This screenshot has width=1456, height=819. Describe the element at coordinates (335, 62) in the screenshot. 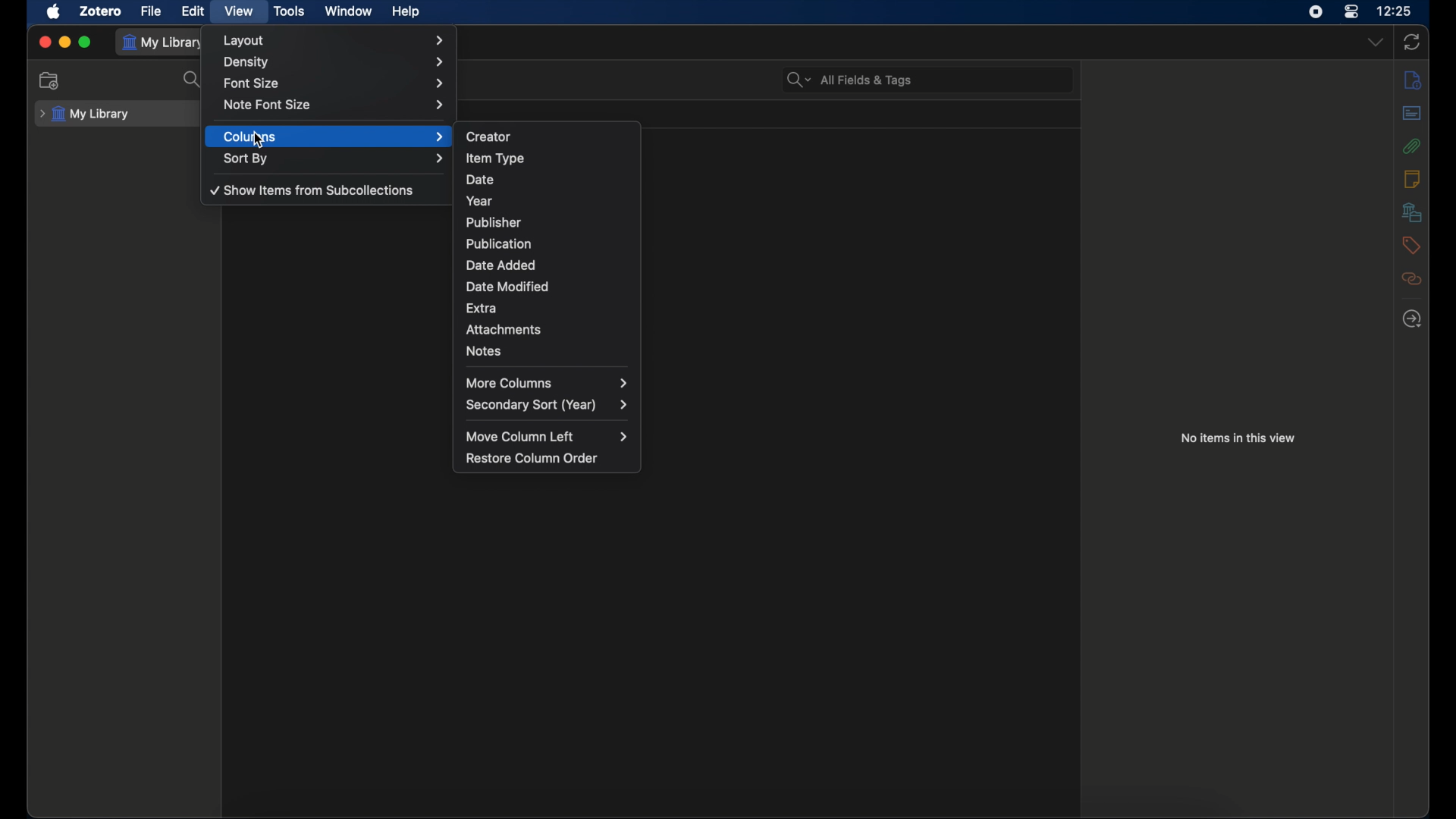

I see `density` at that location.